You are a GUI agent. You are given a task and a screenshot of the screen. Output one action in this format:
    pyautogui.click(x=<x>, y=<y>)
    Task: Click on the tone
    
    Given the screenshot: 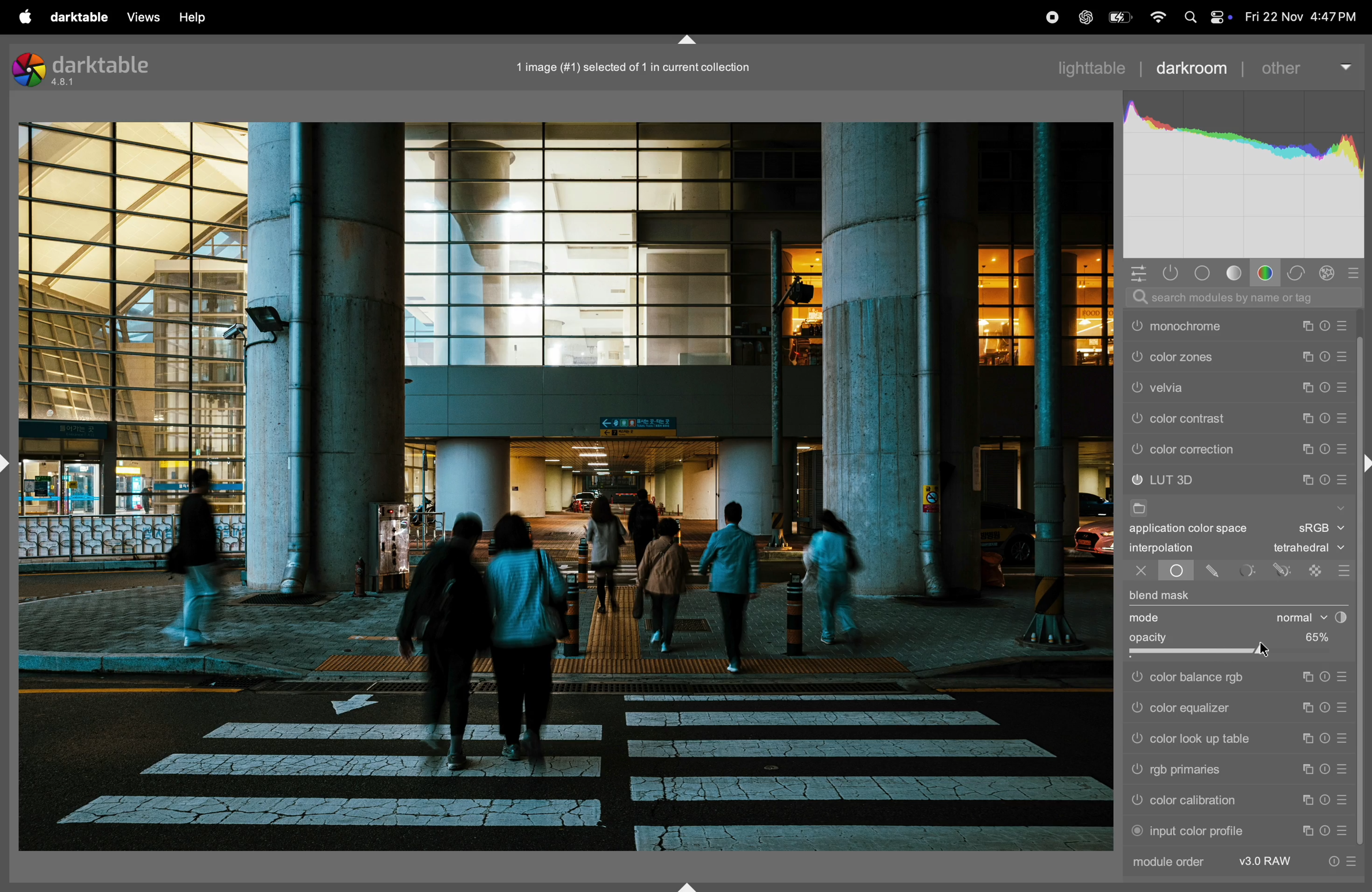 What is the action you would take?
    pyautogui.click(x=1234, y=274)
    